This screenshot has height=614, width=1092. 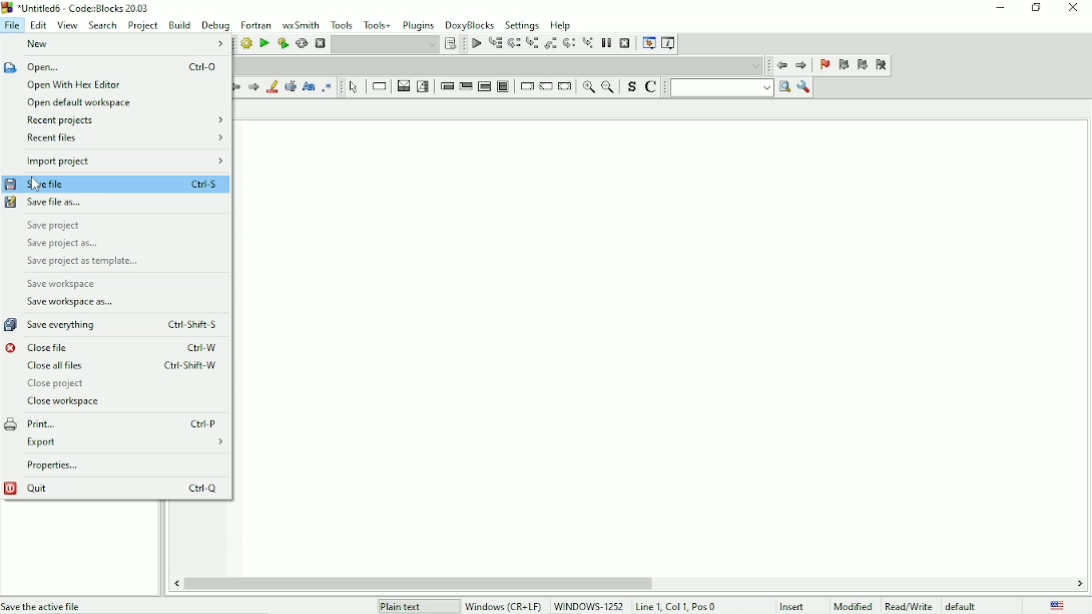 What do you see at coordinates (299, 24) in the screenshot?
I see `wxSmith` at bounding box center [299, 24].